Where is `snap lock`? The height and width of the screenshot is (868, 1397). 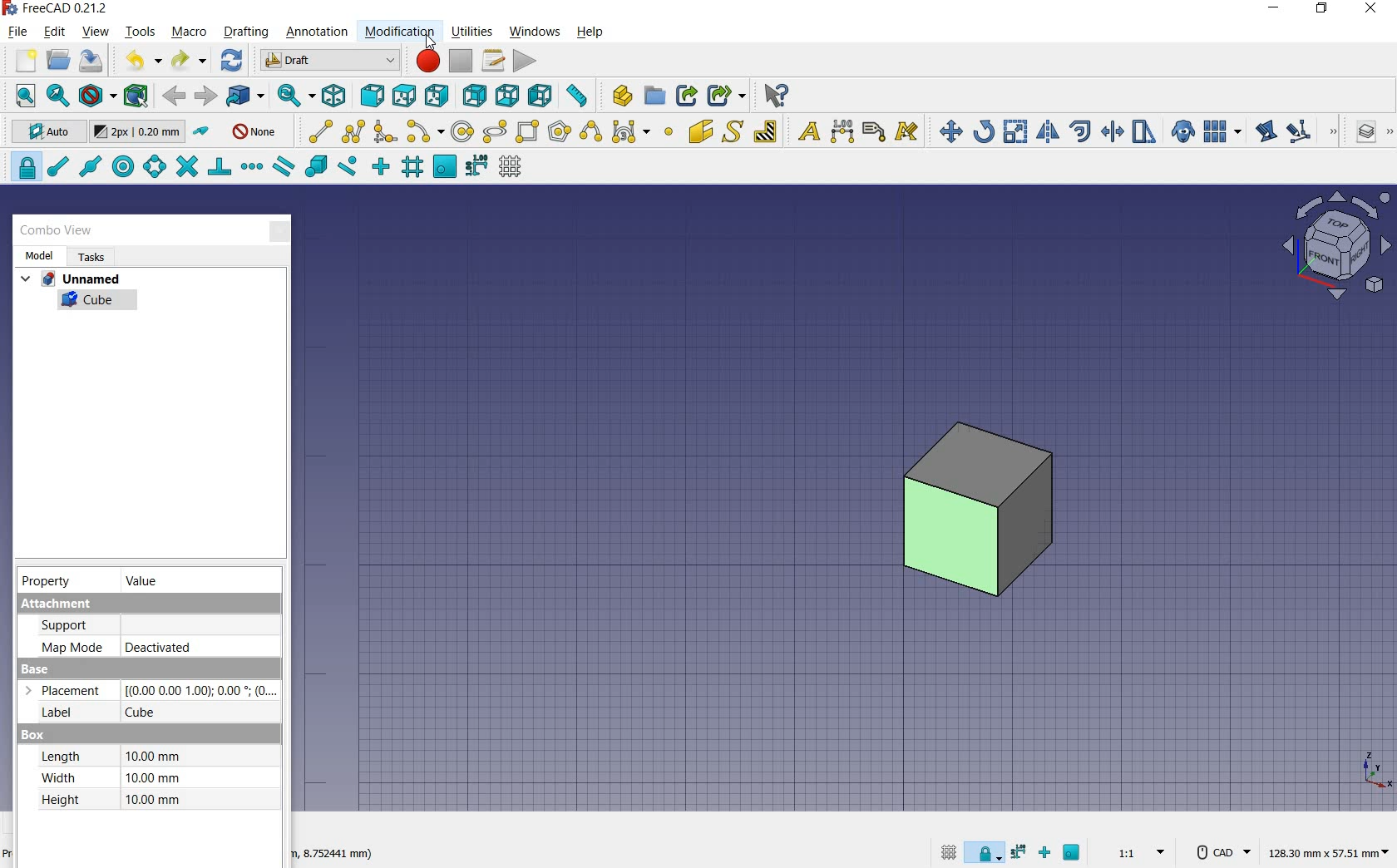 snap lock is located at coordinates (983, 855).